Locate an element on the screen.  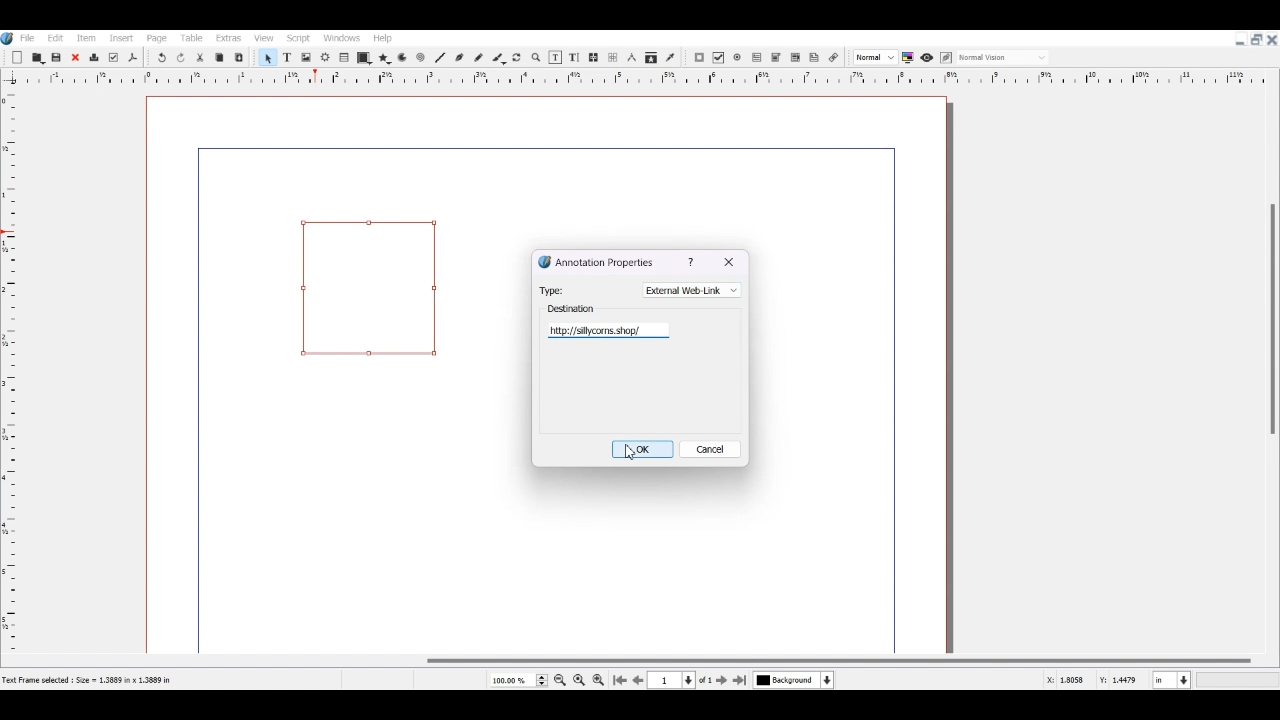
Close is located at coordinates (1272, 39).